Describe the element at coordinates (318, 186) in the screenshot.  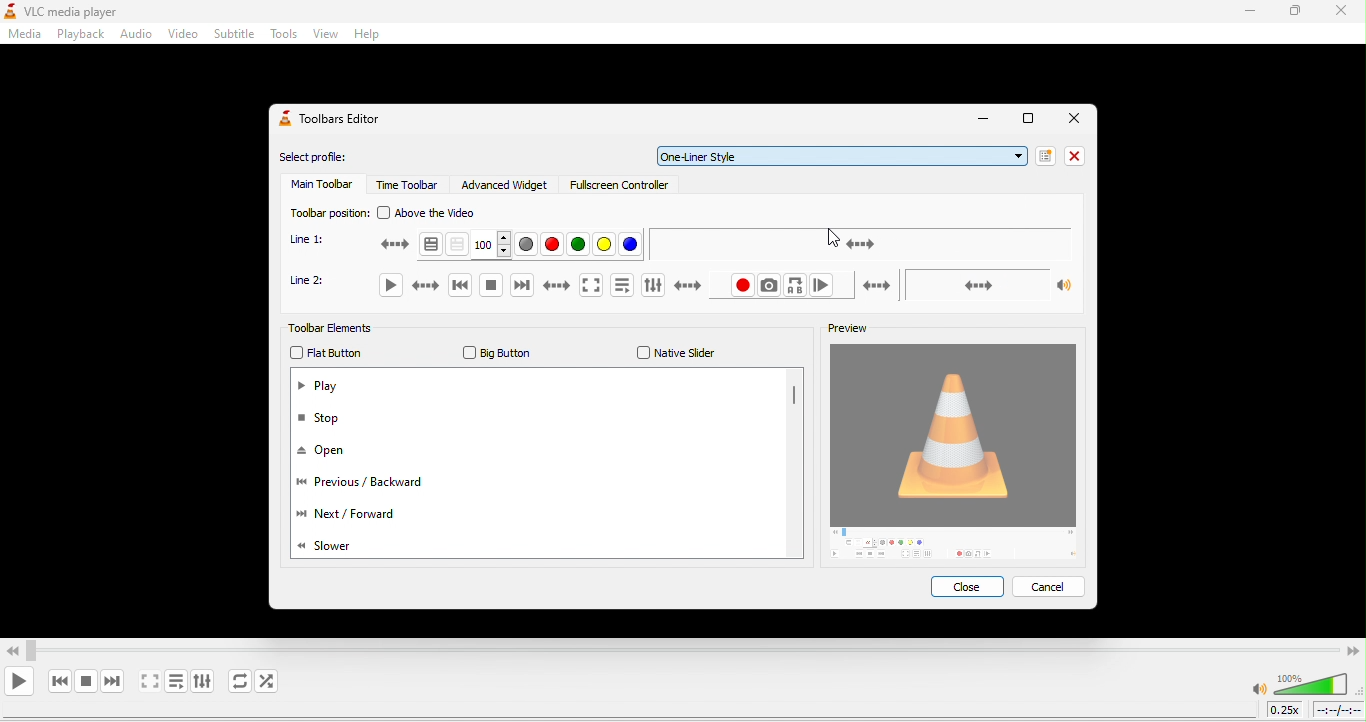
I see `main toolbar` at that location.